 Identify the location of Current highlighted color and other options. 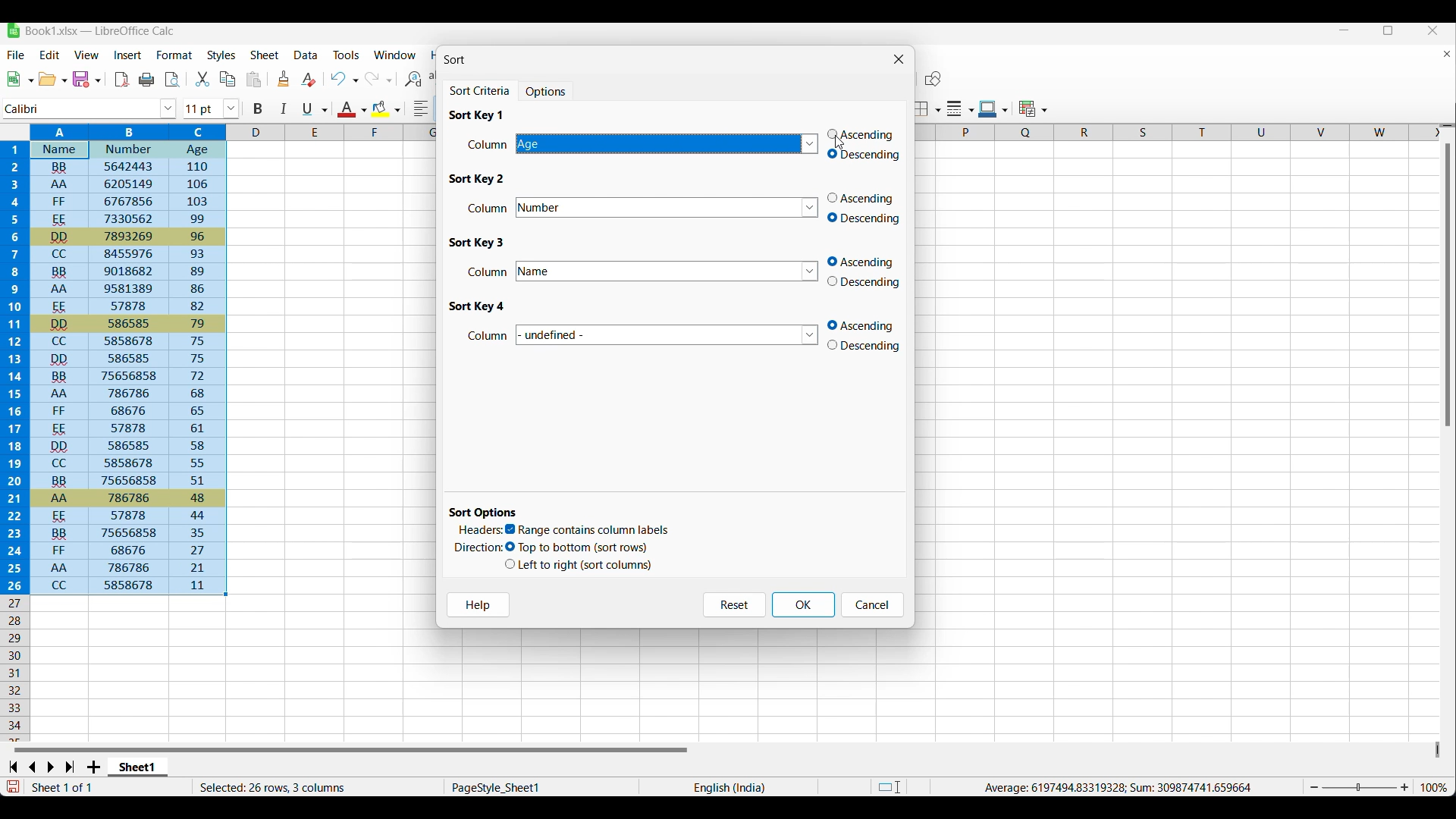
(385, 109).